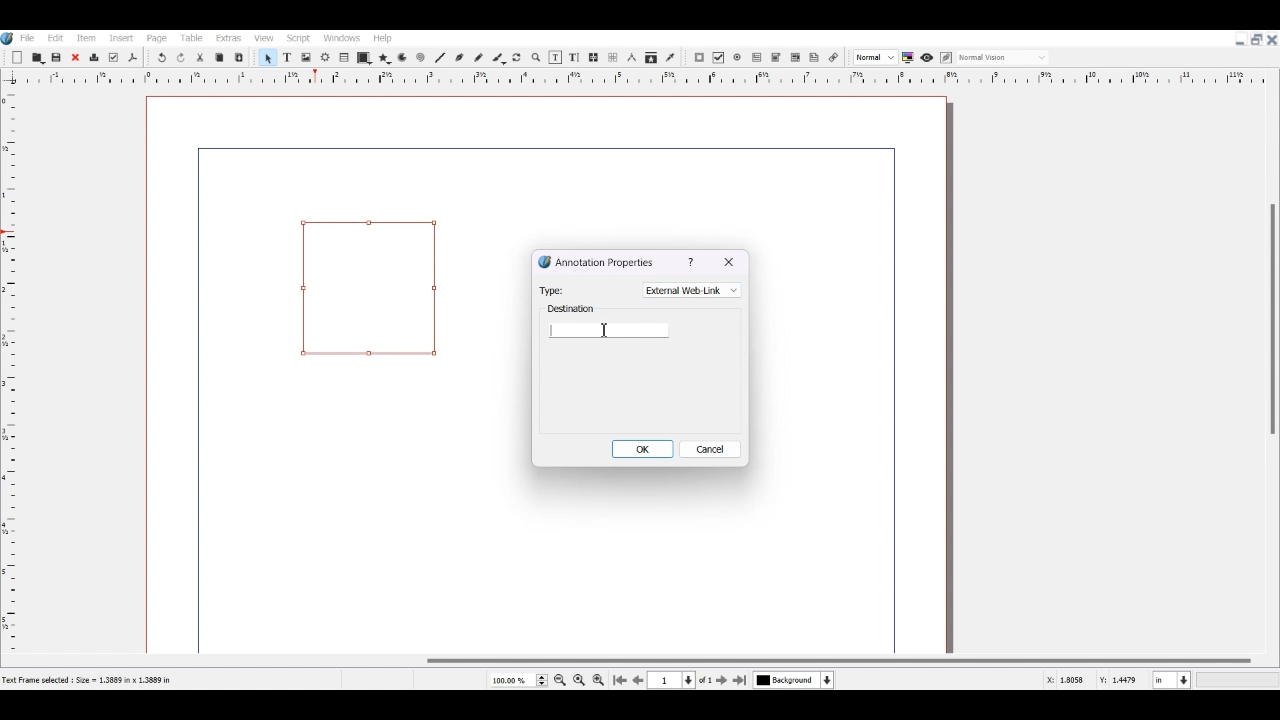 This screenshot has height=720, width=1280. Describe the element at coordinates (757, 58) in the screenshot. I see `PDF Text Field` at that location.